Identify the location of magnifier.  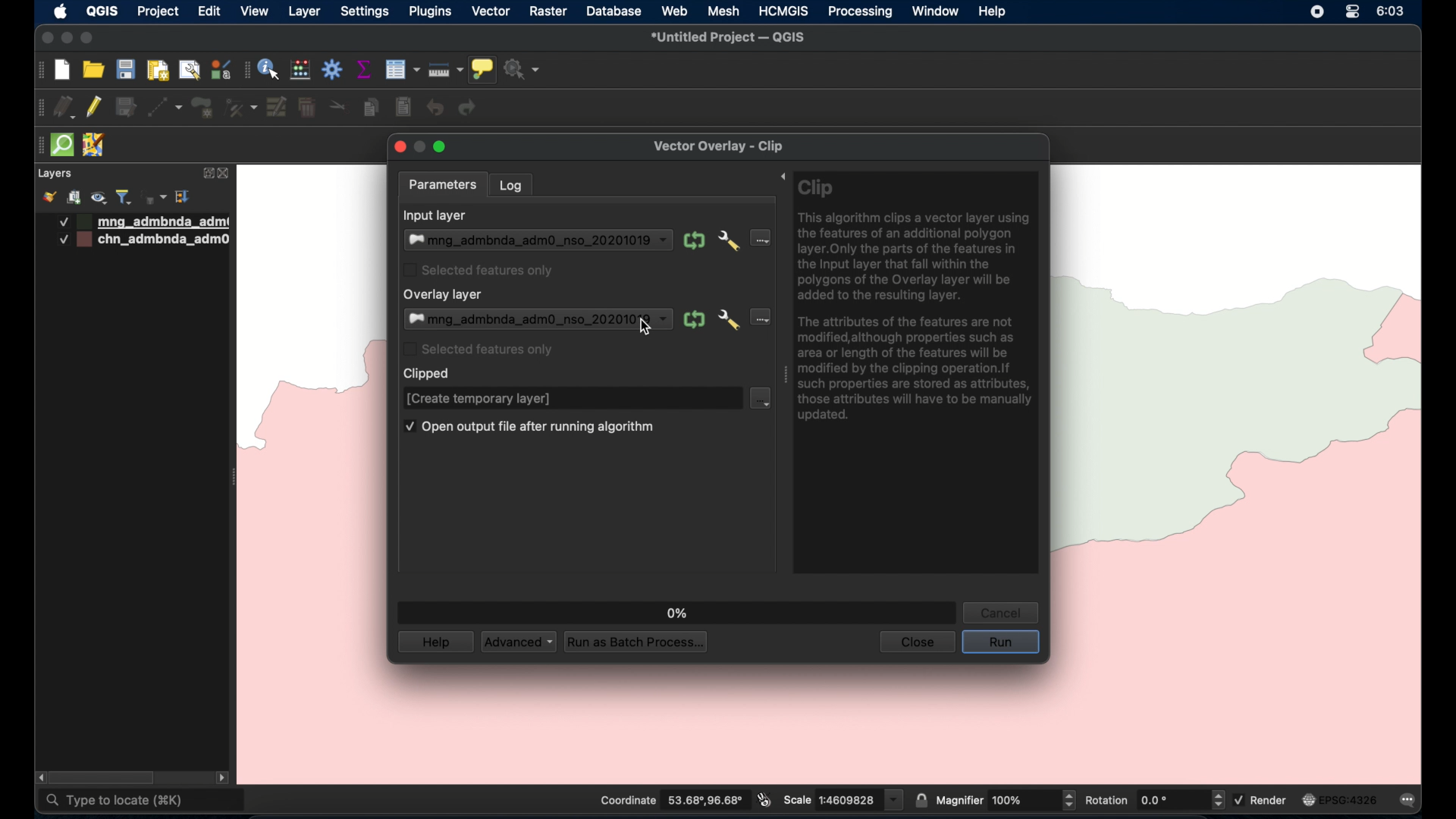
(1006, 799).